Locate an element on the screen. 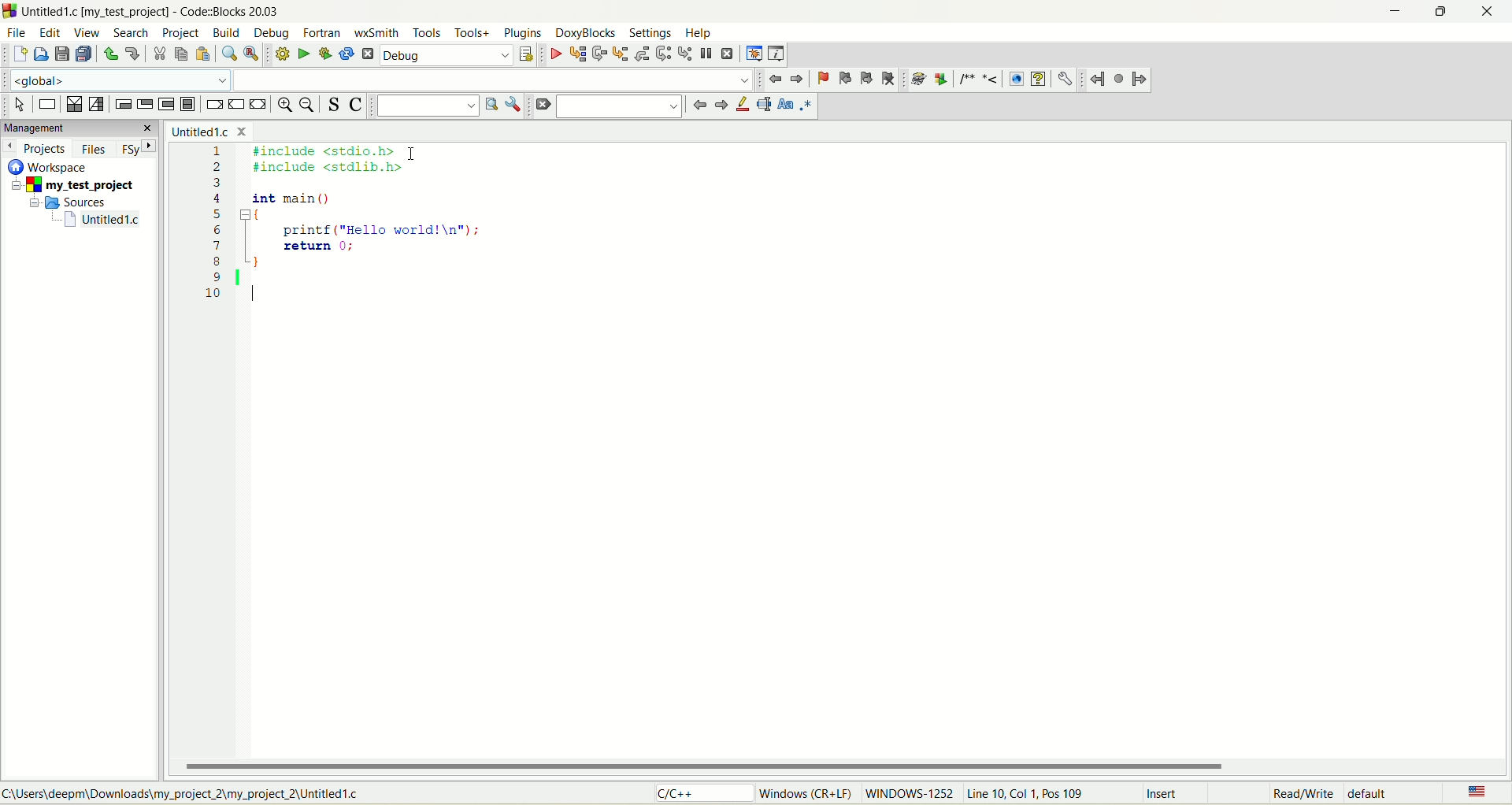 The width and height of the screenshot is (1512, 805). fortan is located at coordinates (324, 33).